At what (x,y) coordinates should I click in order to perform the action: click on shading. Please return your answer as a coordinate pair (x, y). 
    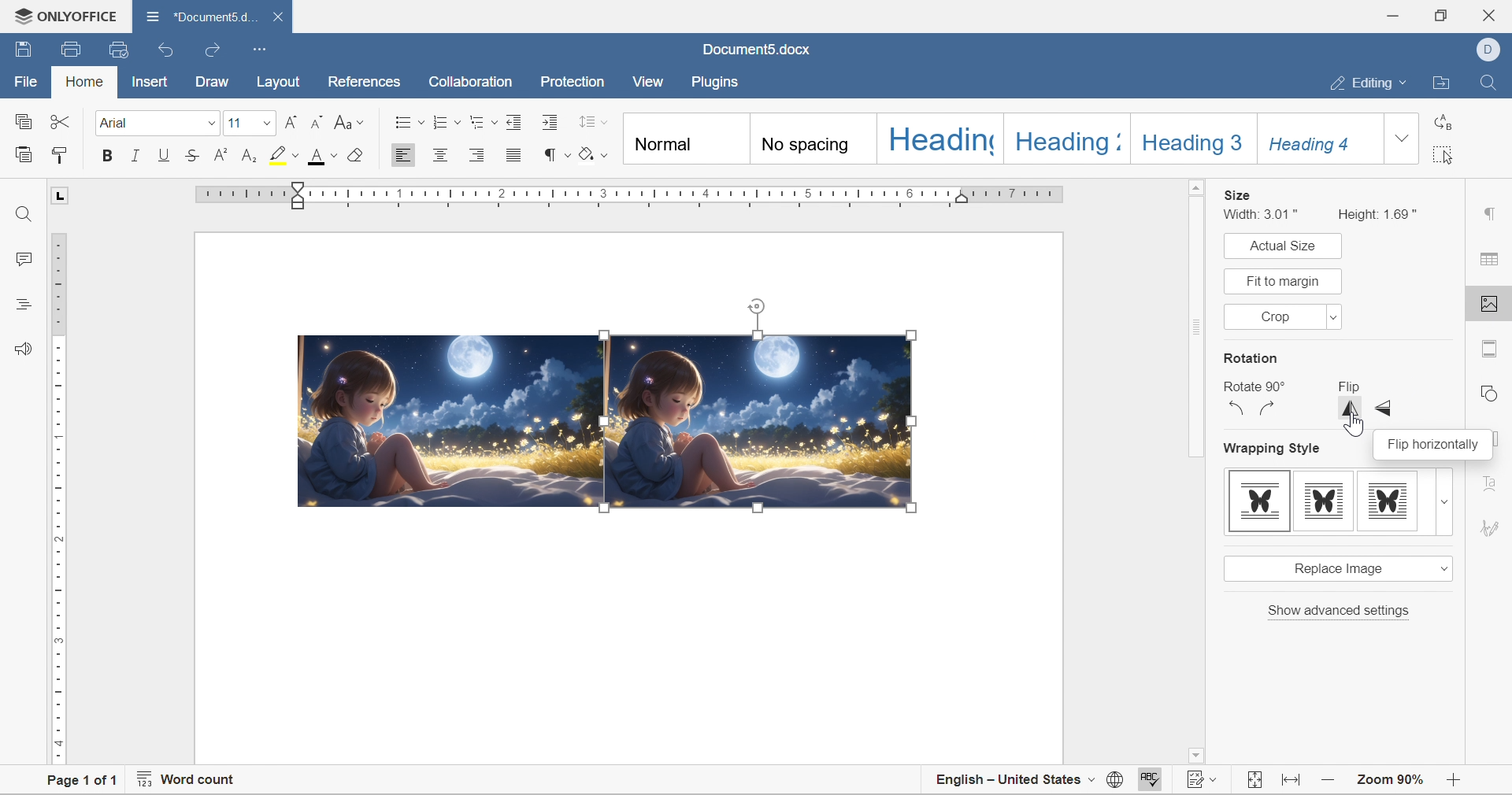
    Looking at the image, I should click on (594, 152).